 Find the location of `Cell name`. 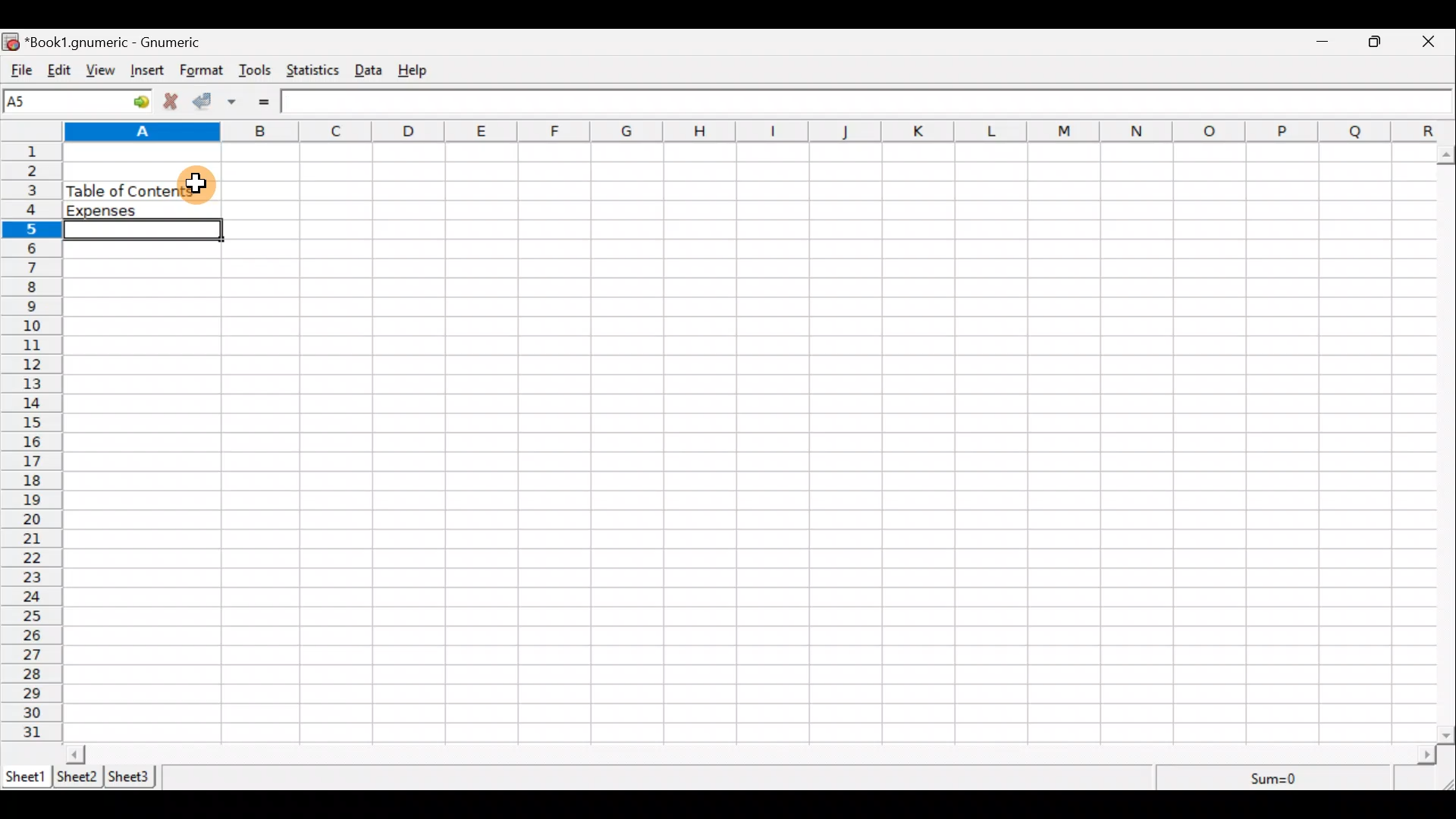

Cell name is located at coordinates (78, 101).